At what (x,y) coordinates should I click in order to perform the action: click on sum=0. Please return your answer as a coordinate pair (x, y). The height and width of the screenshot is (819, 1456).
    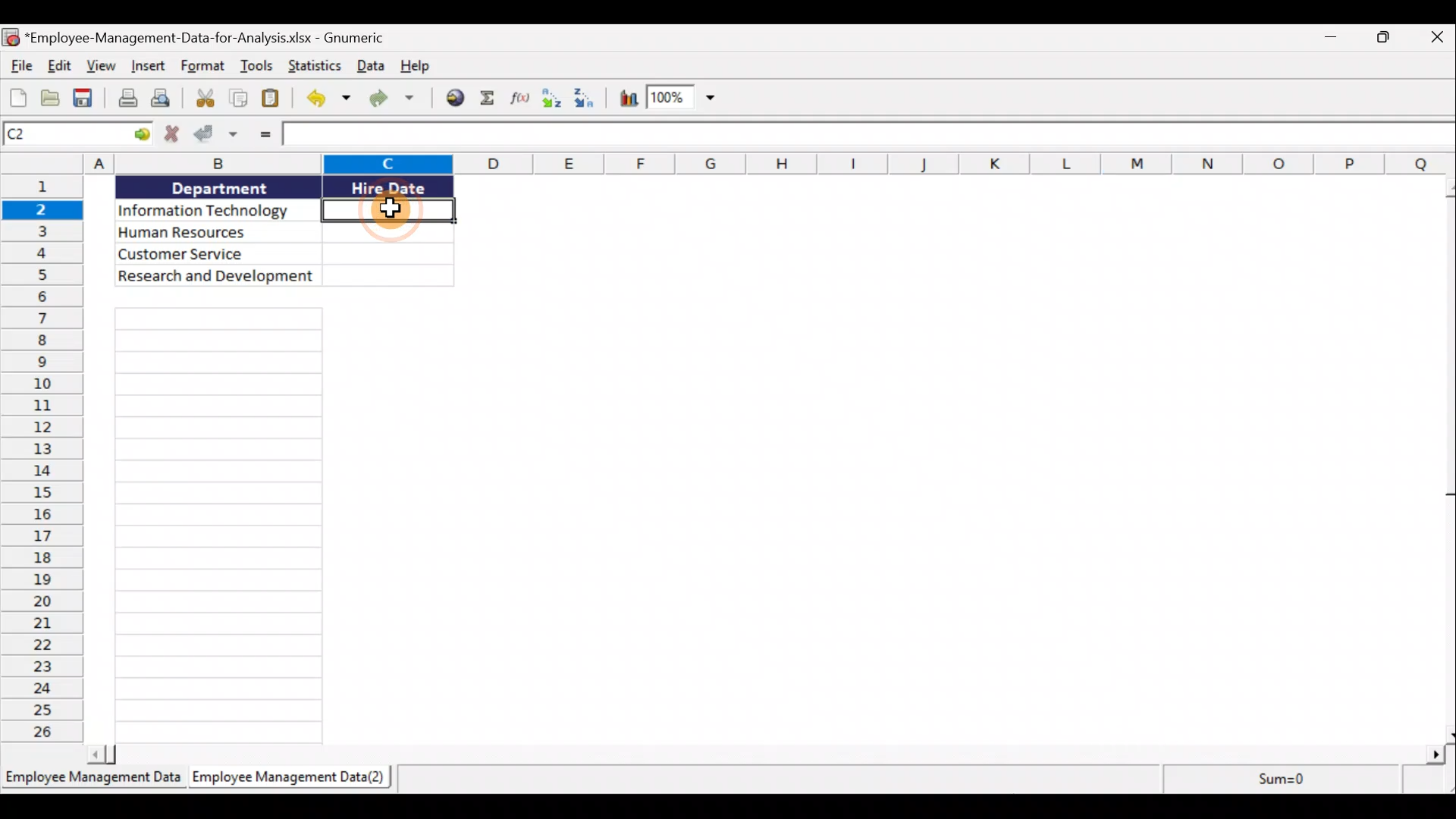
    Looking at the image, I should click on (1288, 782).